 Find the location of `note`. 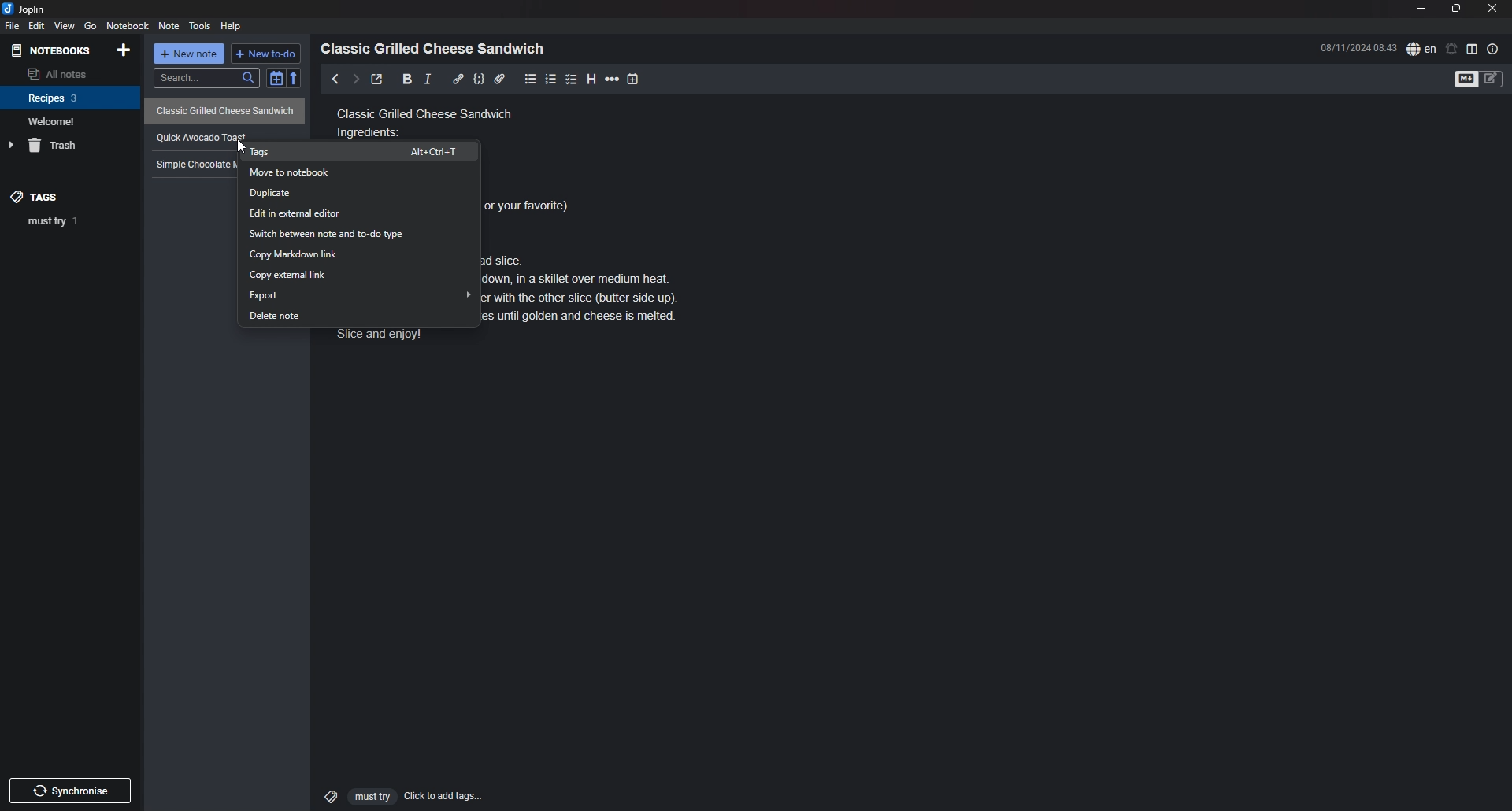

note is located at coordinates (169, 27).